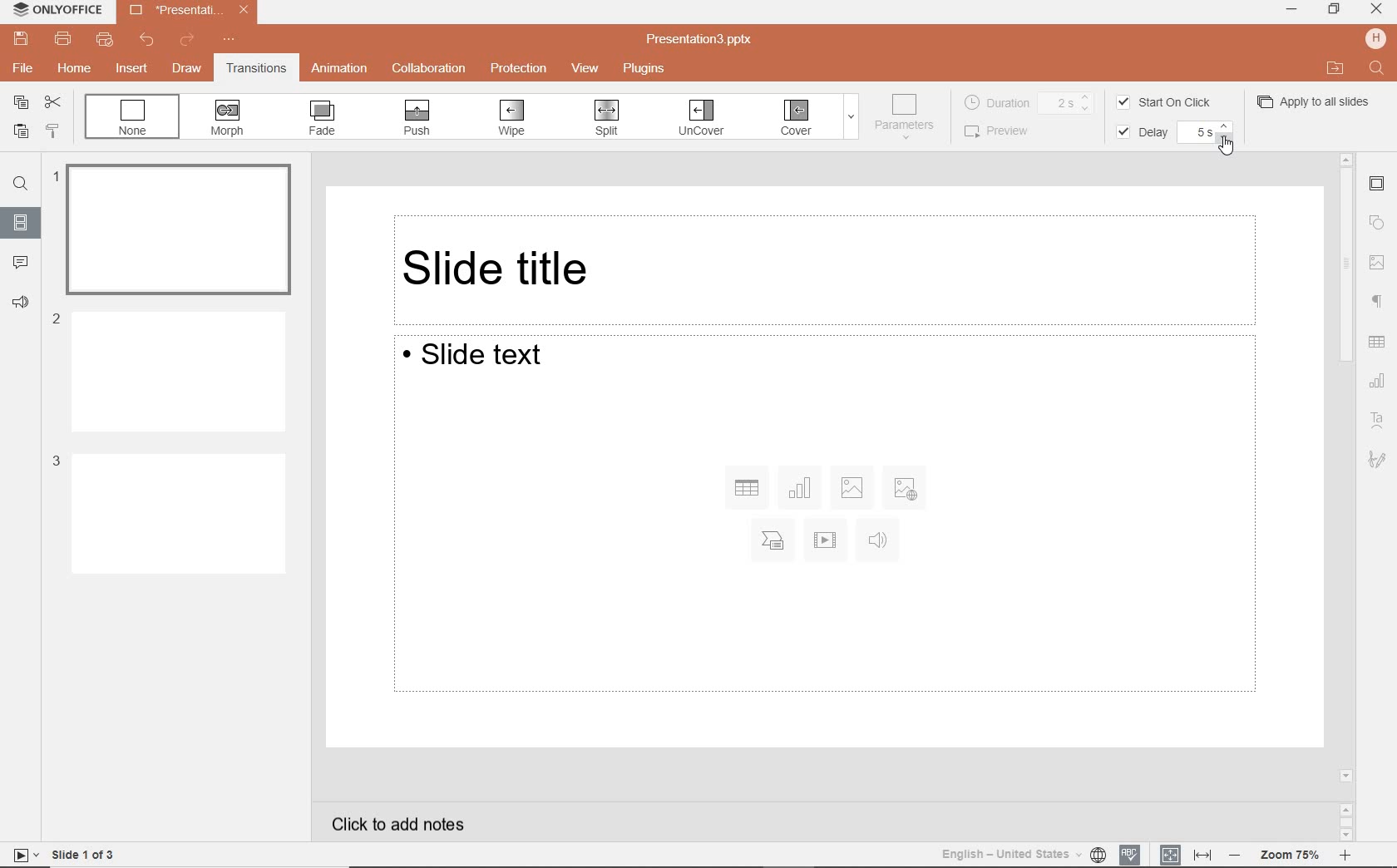  Describe the element at coordinates (1377, 223) in the screenshot. I see `shape settings` at that location.